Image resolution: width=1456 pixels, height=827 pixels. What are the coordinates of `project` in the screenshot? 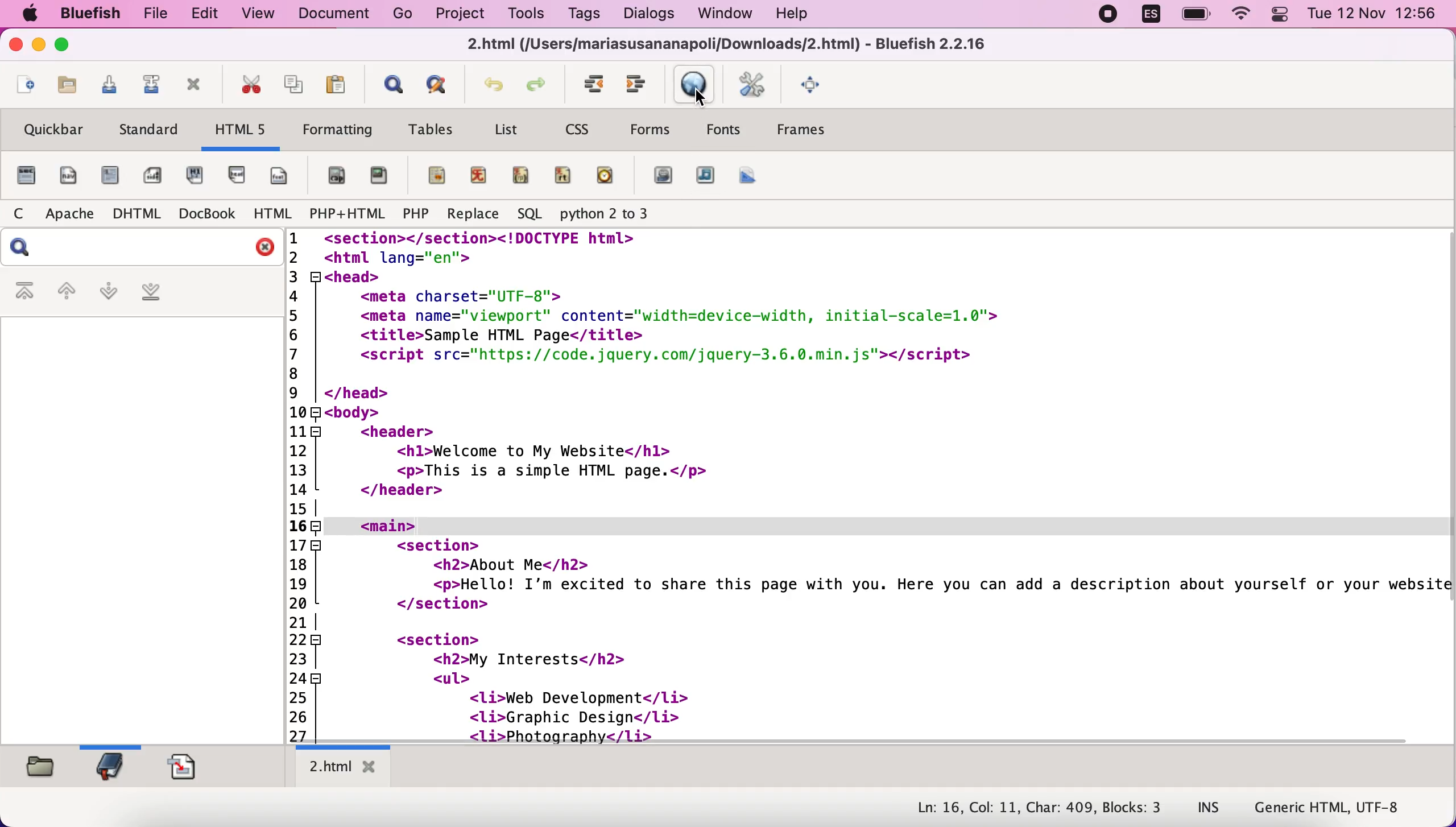 It's located at (464, 16).